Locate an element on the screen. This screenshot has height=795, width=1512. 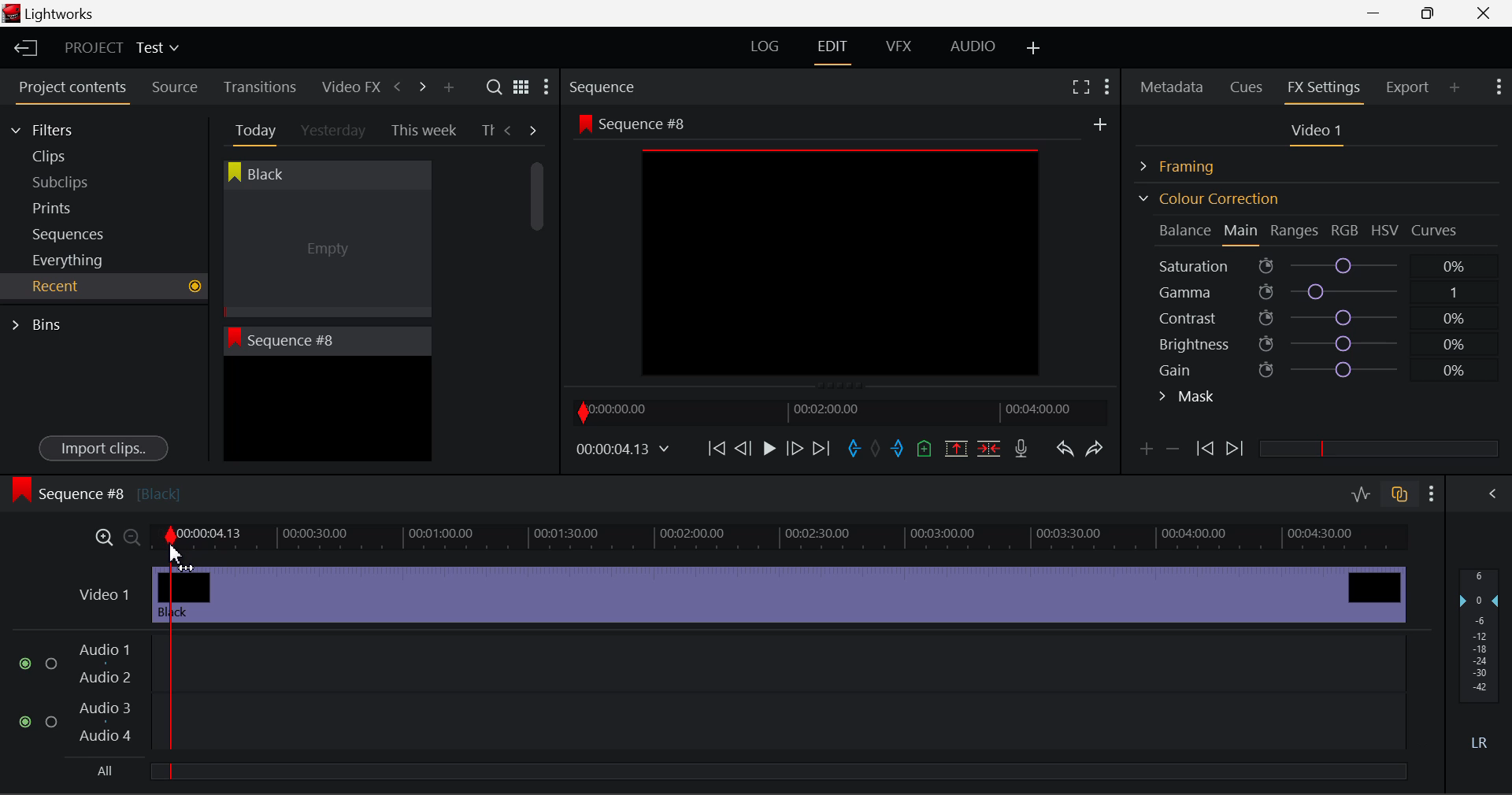
slider is located at coordinates (1378, 448).